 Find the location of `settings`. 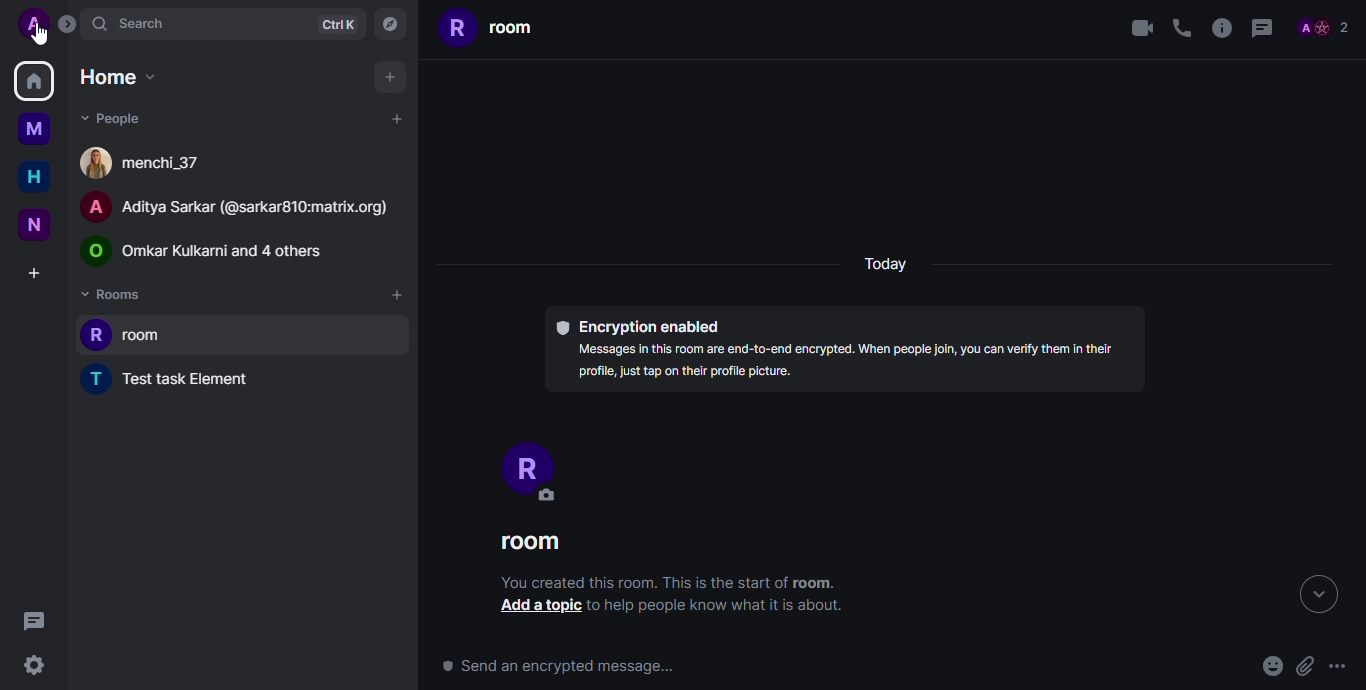

settings is located at coordinates (34, 665).